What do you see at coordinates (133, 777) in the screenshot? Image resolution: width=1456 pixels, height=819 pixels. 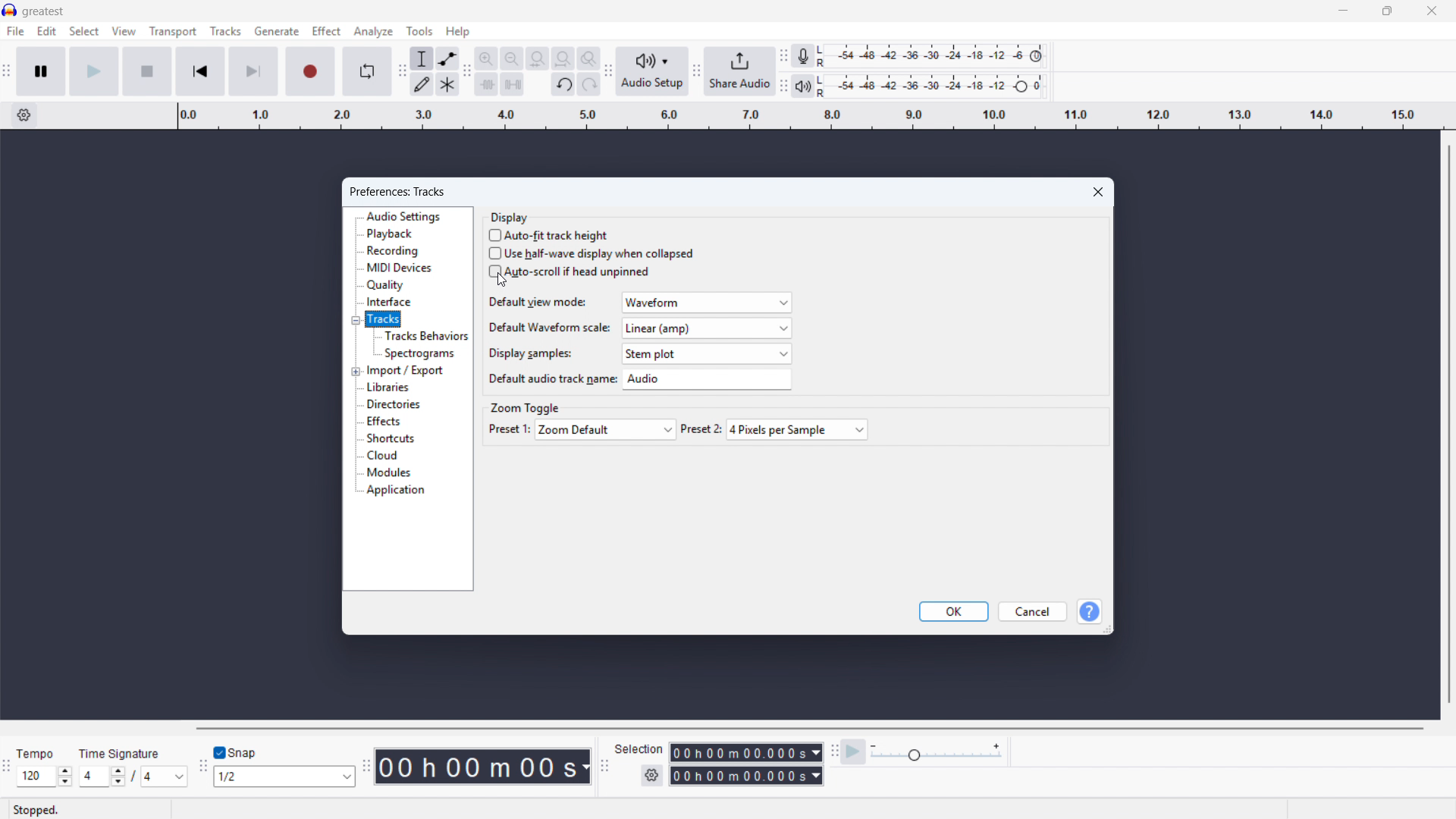 I see `Set time signature ` at bounding box center [133, 777].